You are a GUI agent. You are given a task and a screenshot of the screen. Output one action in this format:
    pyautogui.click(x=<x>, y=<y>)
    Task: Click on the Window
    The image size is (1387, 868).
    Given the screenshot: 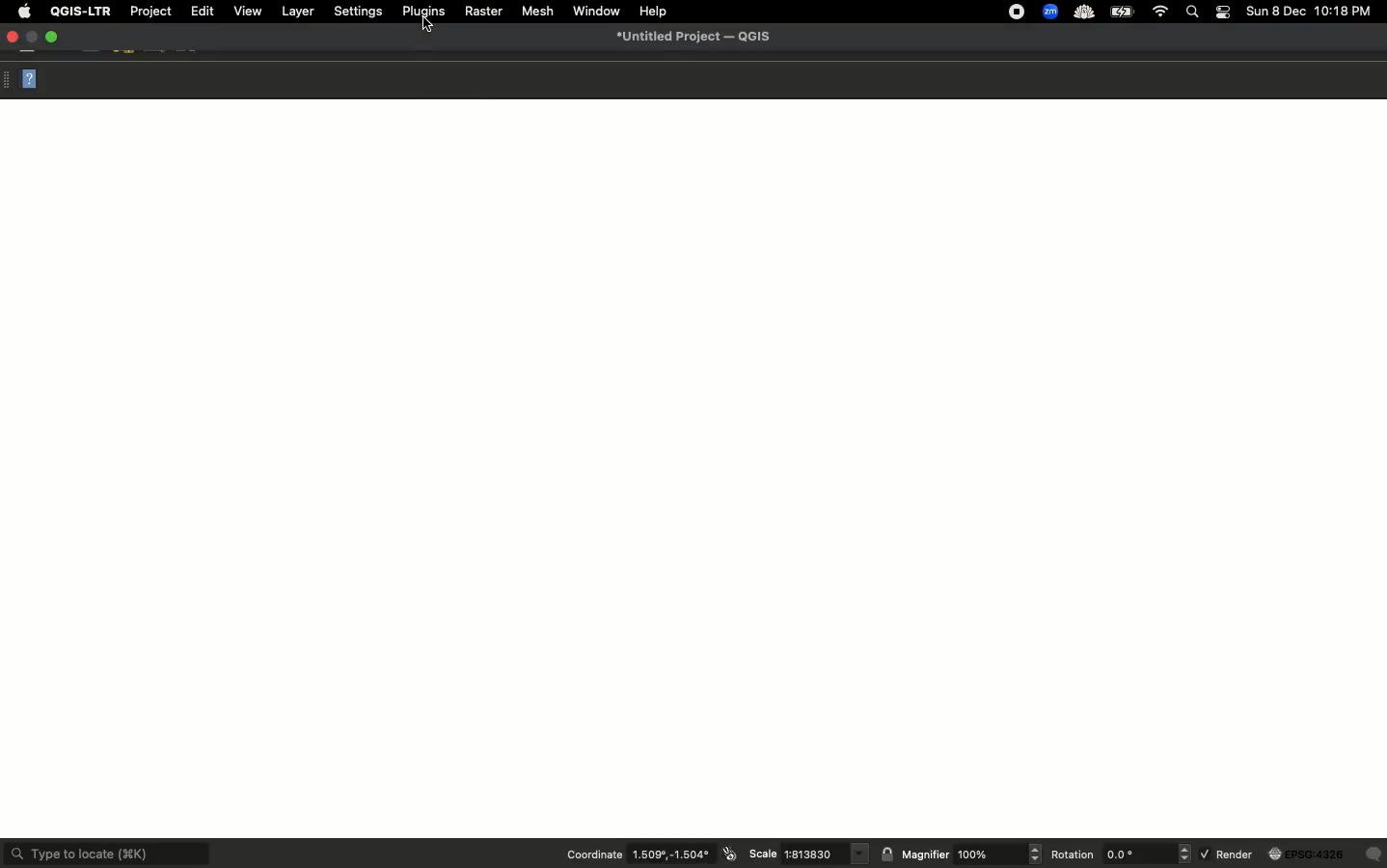 What is the action you would take?
    pyautogui.click(x=596, y=11)
    